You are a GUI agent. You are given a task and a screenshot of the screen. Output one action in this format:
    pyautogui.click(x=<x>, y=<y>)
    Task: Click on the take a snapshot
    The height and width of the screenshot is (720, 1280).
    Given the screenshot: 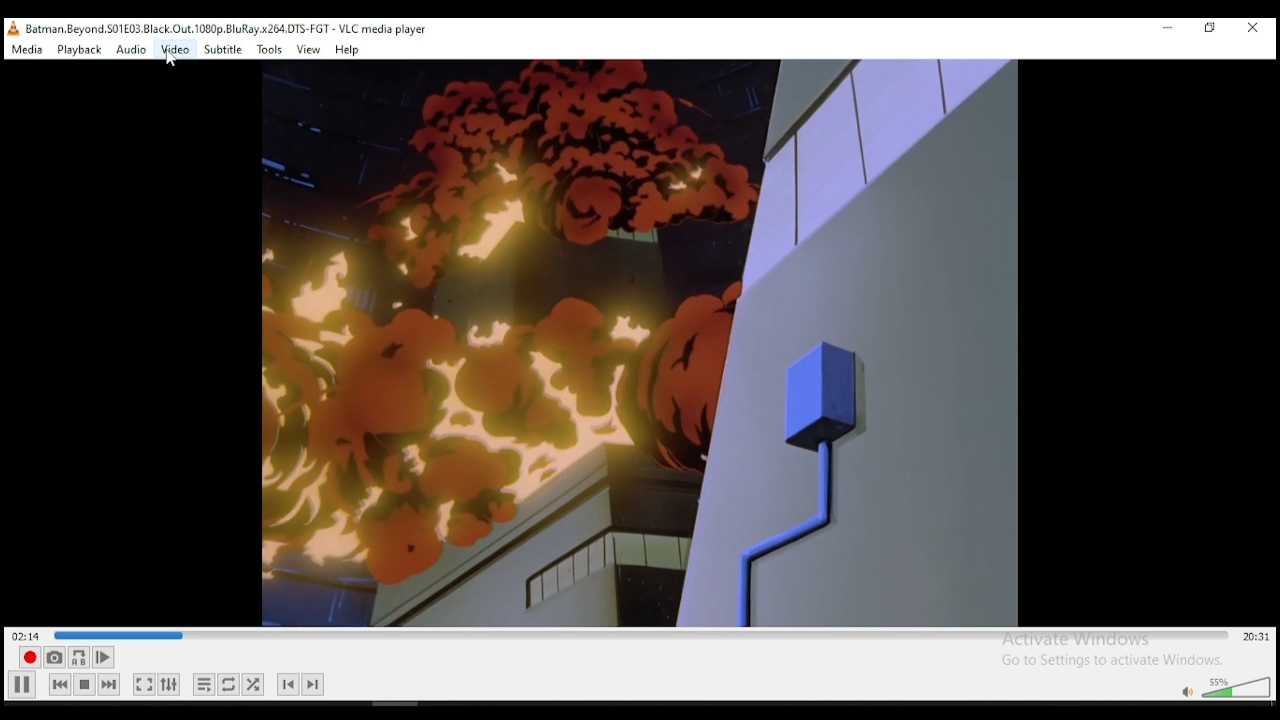 What is the action you would take?
    pyautogui.click(x=54, y=657)
    